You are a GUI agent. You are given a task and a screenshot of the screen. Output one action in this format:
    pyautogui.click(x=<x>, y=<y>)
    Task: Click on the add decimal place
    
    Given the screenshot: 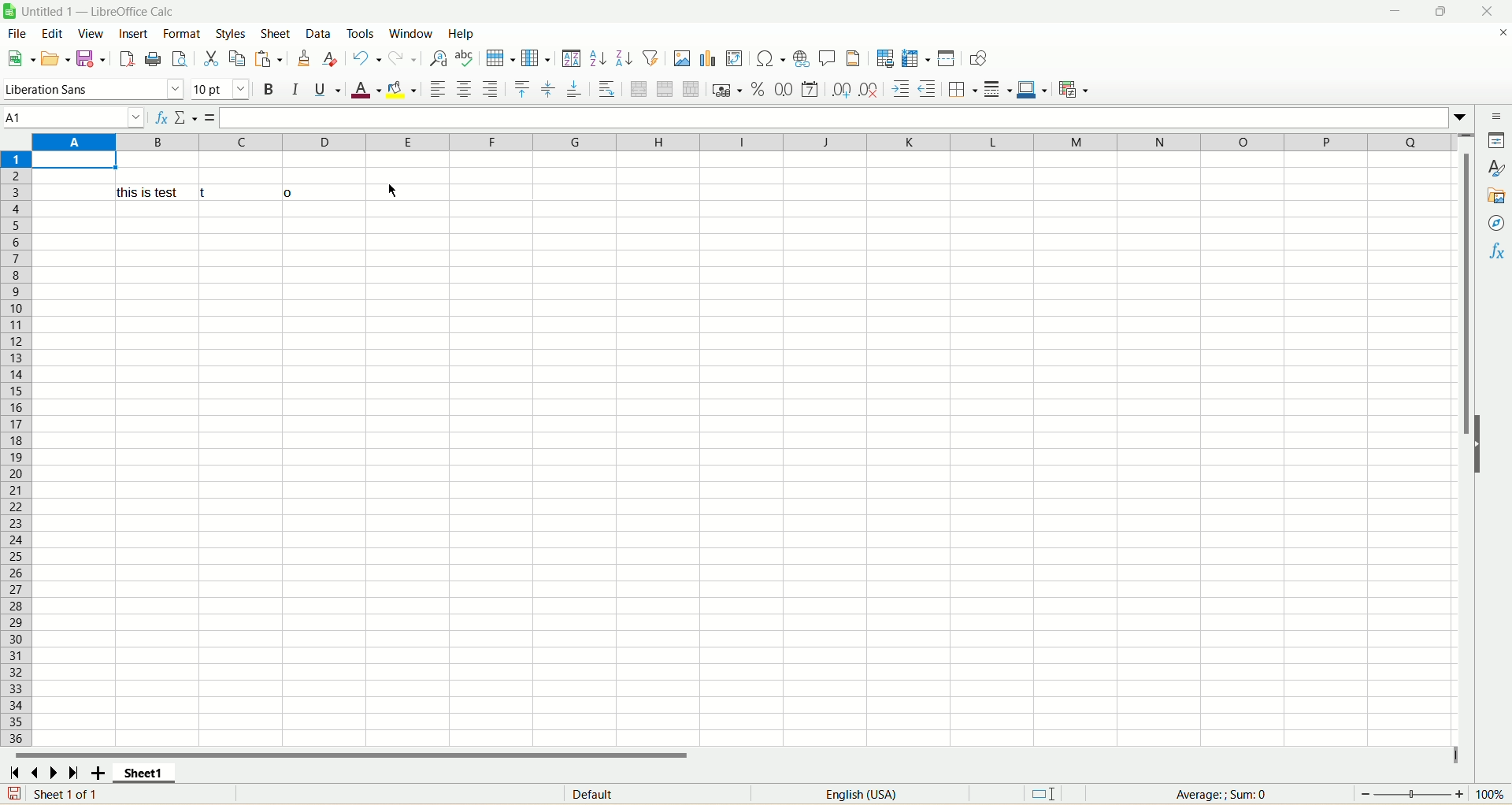 What is the action you would take?
    pyautogui.click(x=843, y=90)
    